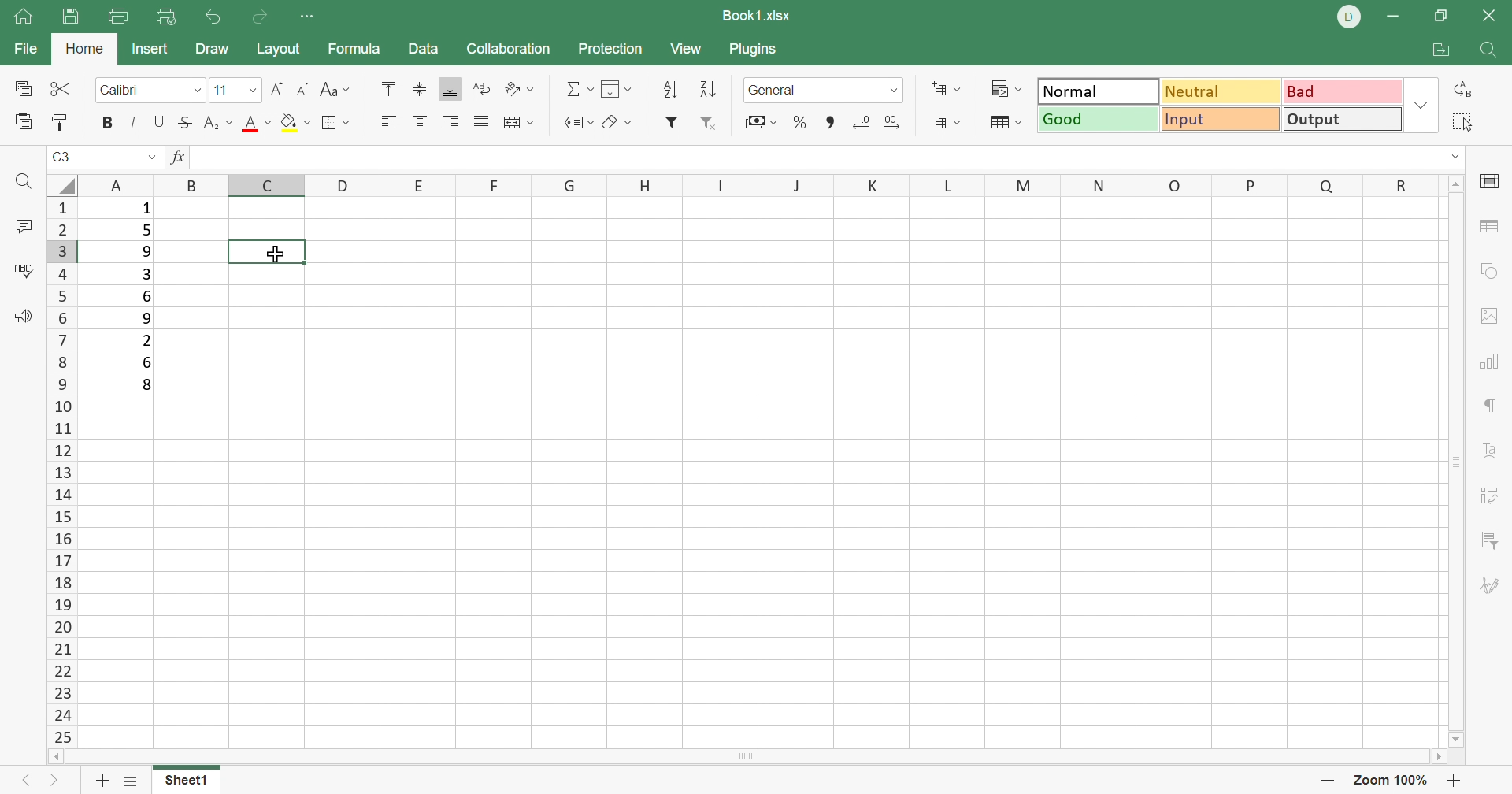 This screenshot has height=794, width=1512. Describe the element at coordinates (60, 88) in the screenshot. I see `Cut` at that location.